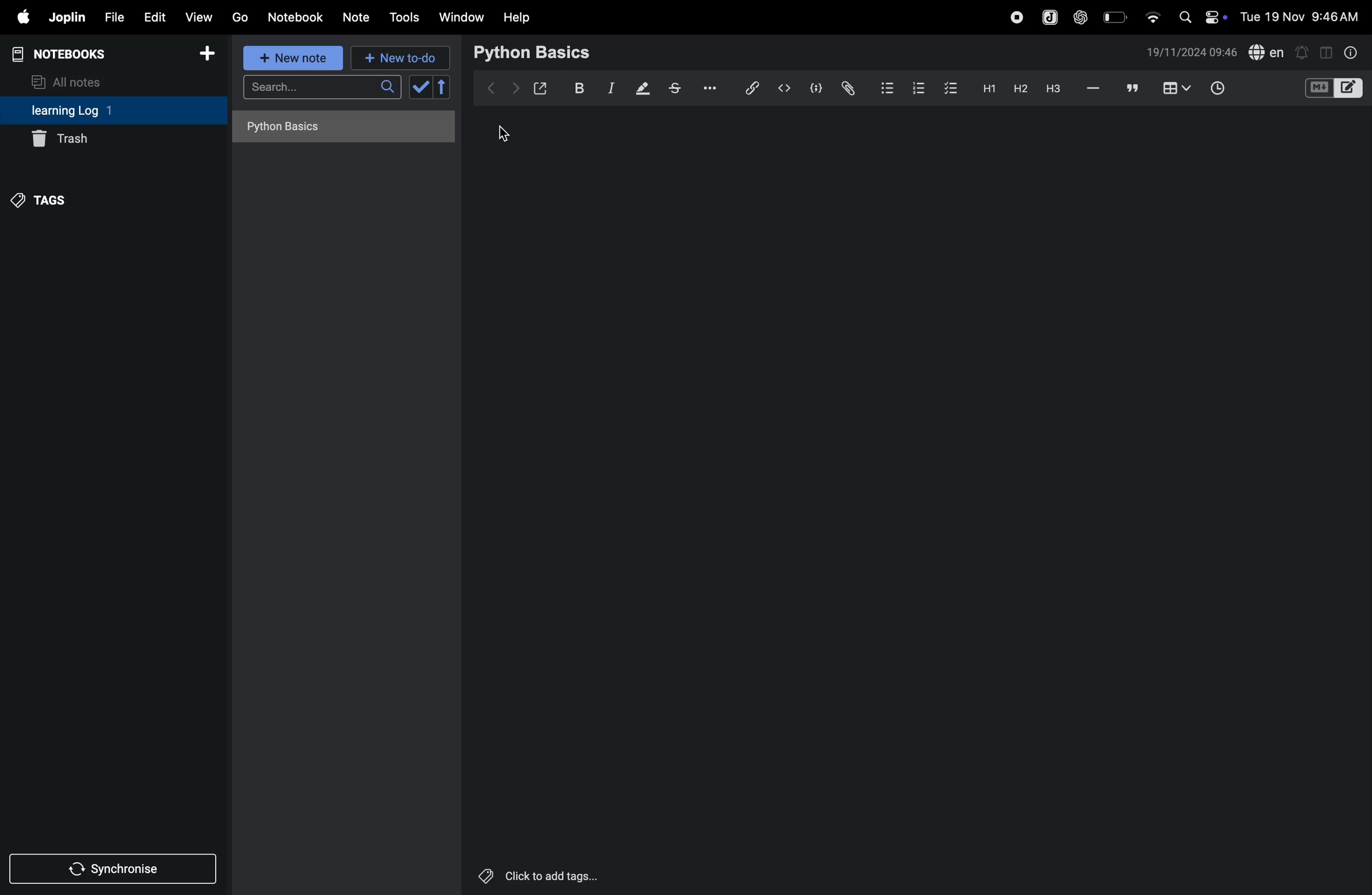  Describe the element at coordinates (751, 88) in the screenshot. I see `hyper link` at that location.